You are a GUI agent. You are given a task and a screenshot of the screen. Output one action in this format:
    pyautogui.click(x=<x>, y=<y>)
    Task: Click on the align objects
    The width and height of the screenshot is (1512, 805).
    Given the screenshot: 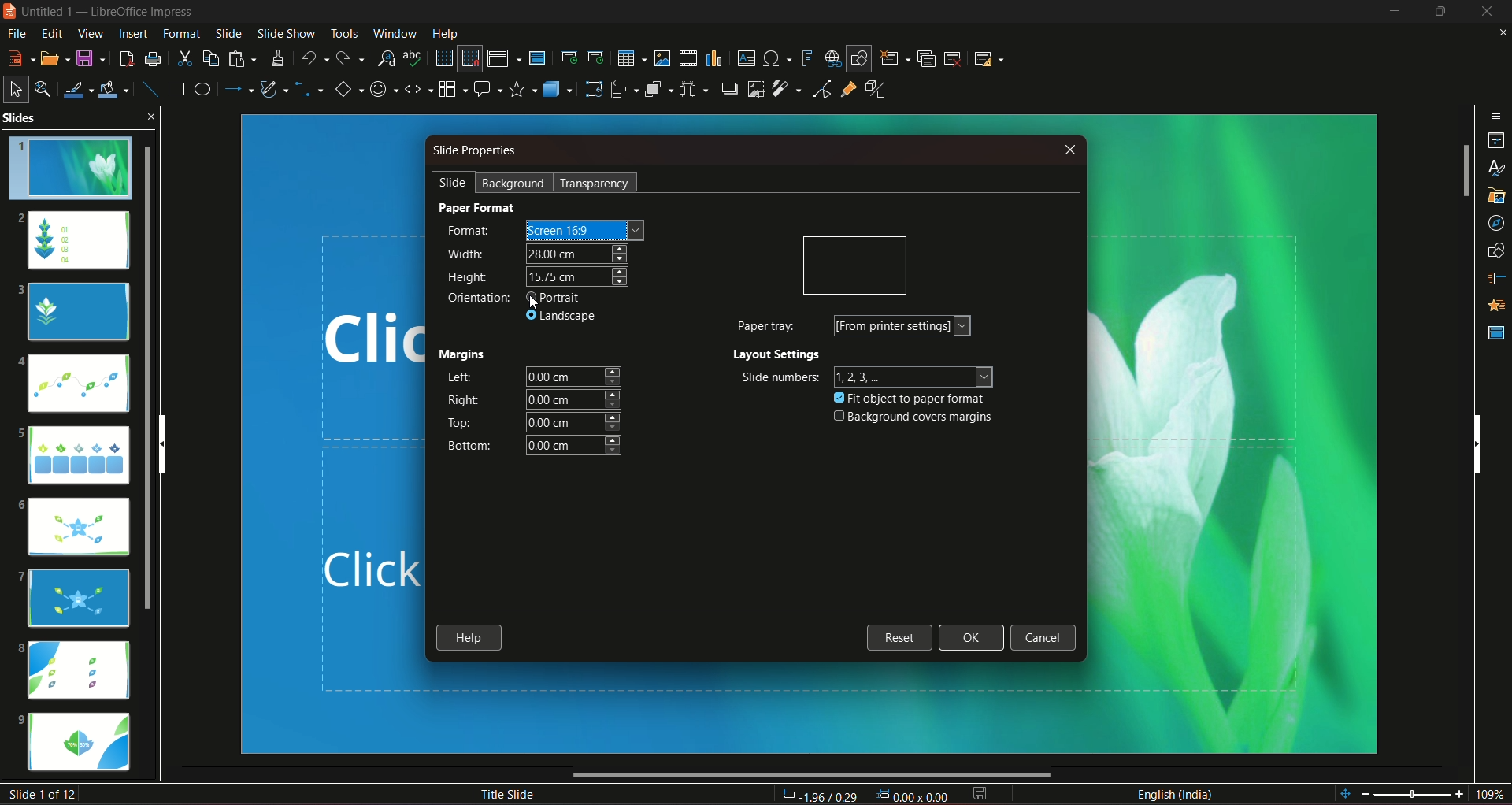 What is the action you would take?
    pyautogui.click(x=623, y=90)
    